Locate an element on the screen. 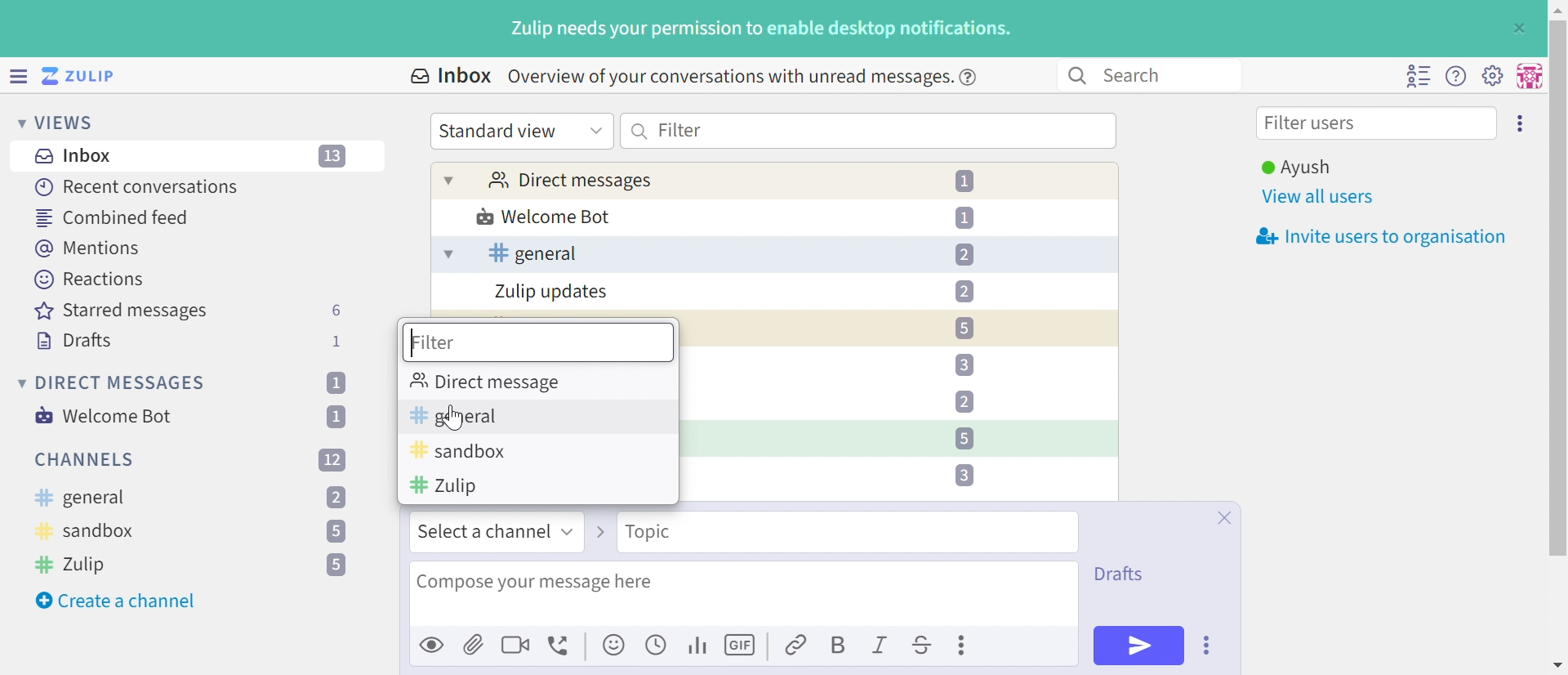  general is located at coordinates (532, 253).